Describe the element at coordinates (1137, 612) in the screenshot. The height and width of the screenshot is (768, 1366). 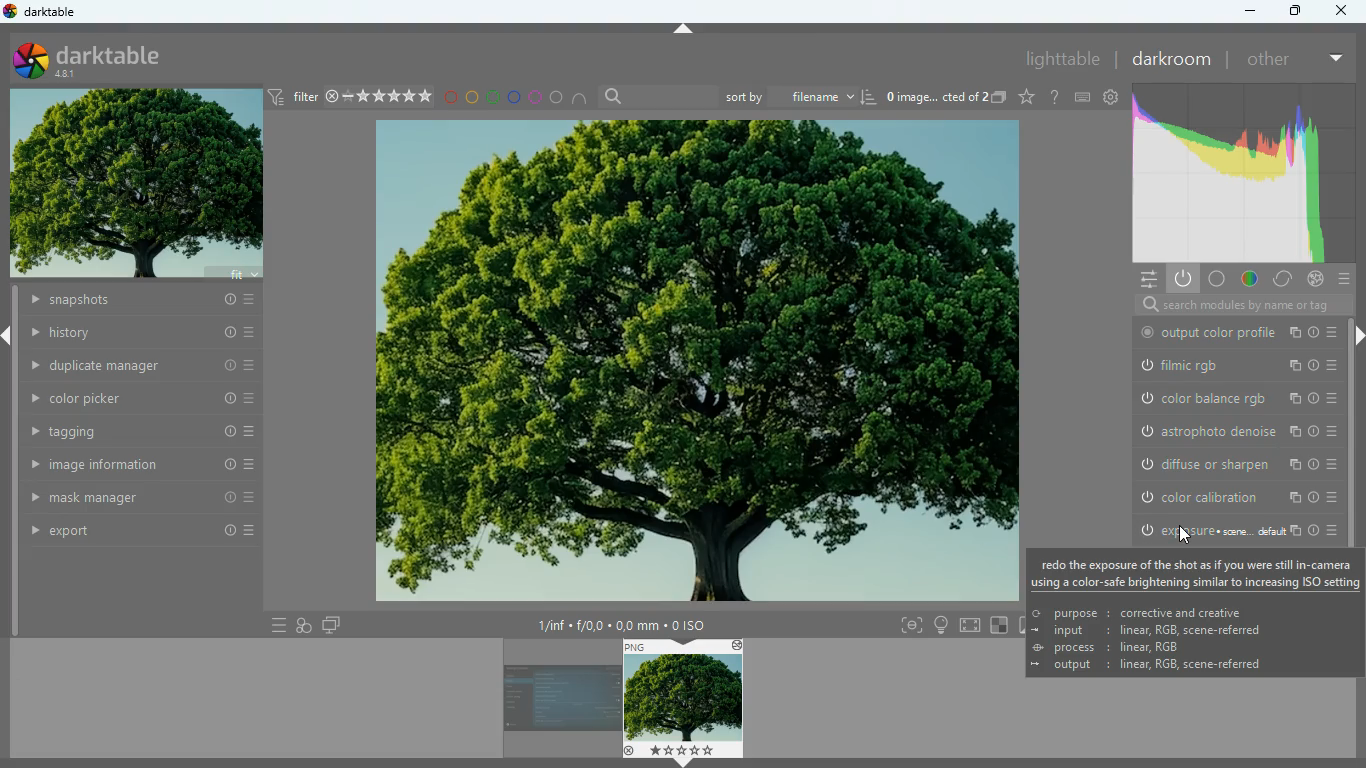
I see `purpose` at that location.